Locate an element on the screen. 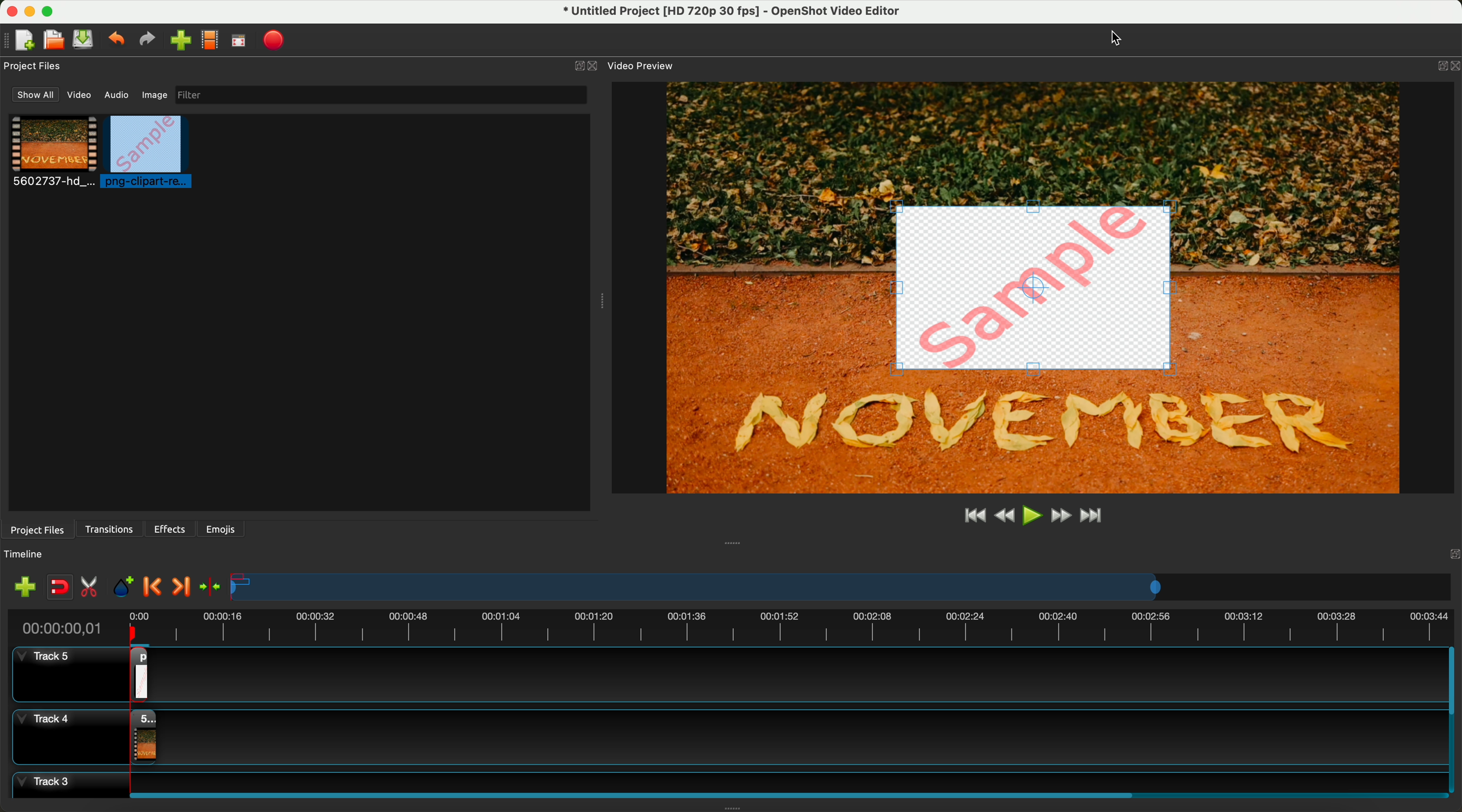  open project is located at coordinates (53, 41).